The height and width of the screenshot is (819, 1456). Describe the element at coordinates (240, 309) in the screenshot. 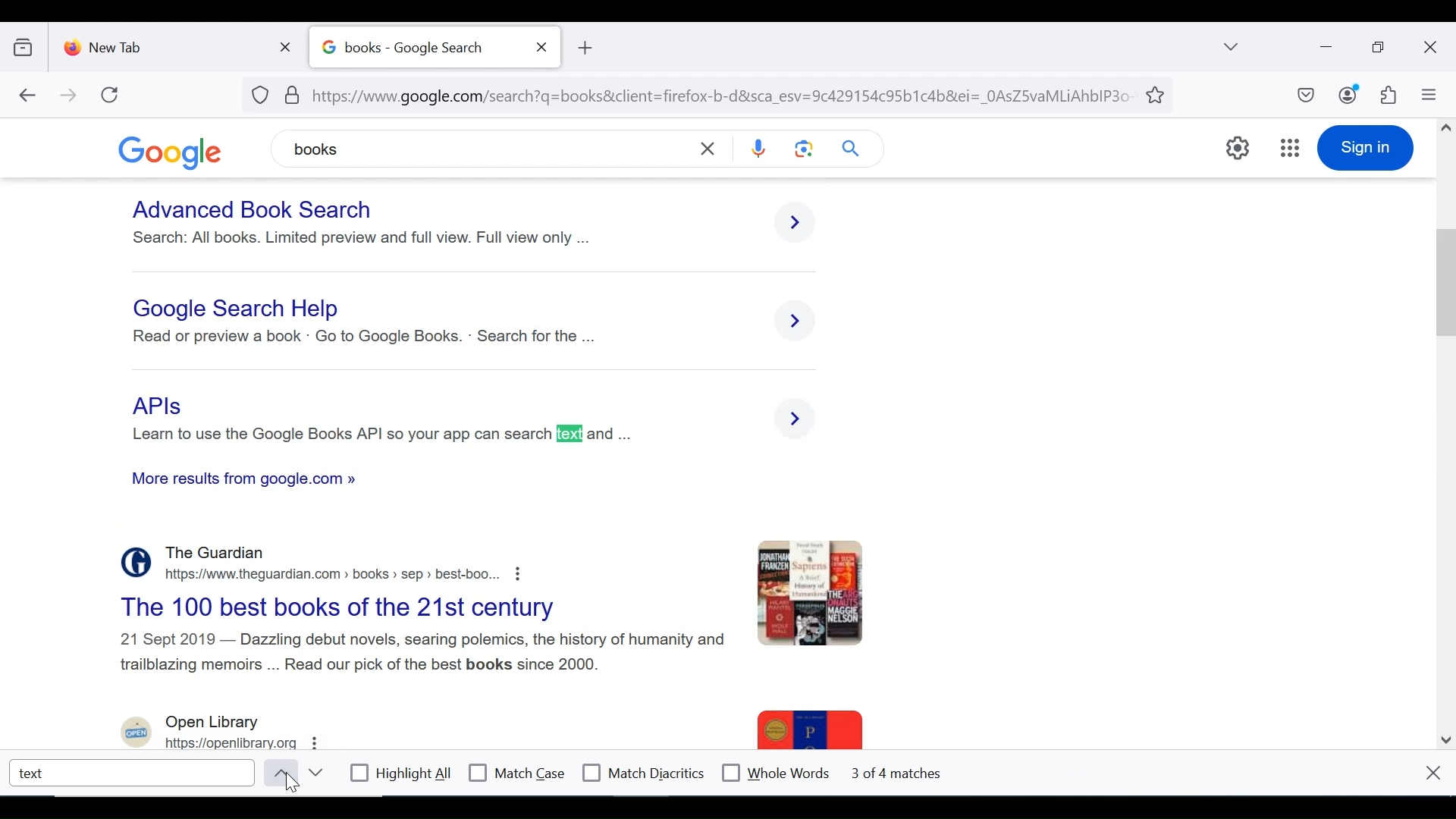

I see `which story book is best for reading` at that location.